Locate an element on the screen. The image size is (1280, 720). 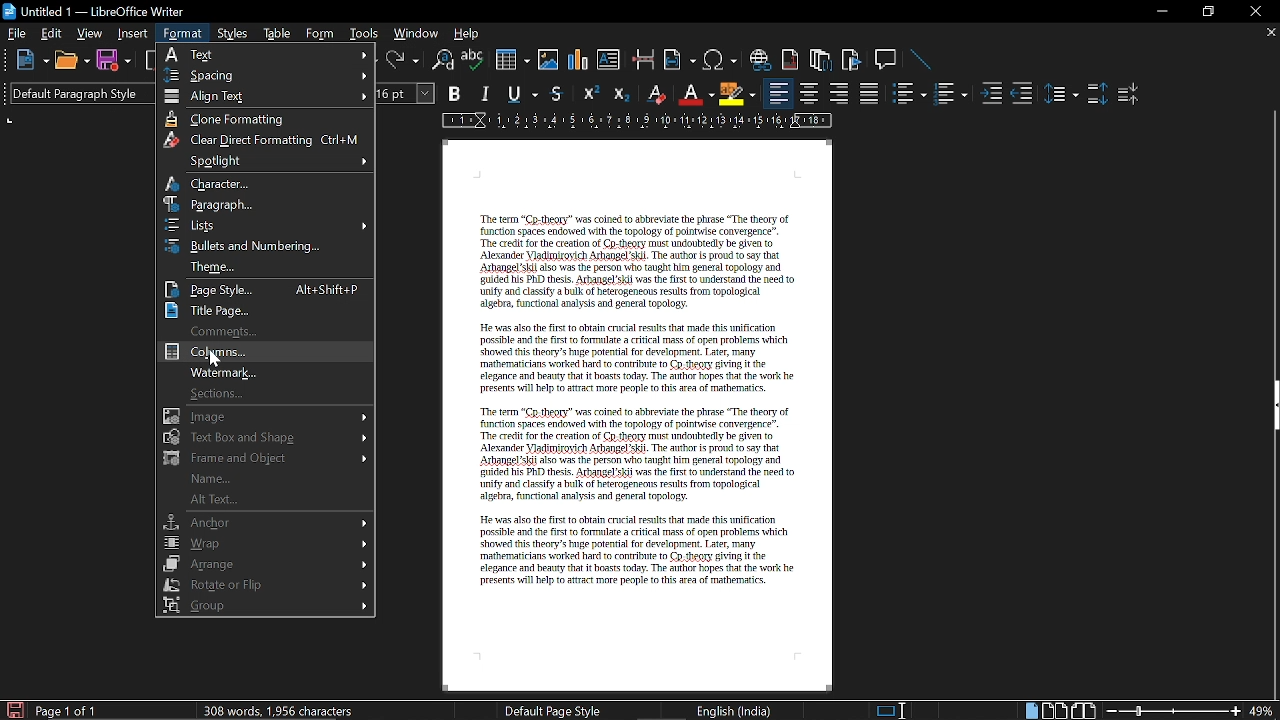
Toggle ordered list is located at coordinates (951, 93).